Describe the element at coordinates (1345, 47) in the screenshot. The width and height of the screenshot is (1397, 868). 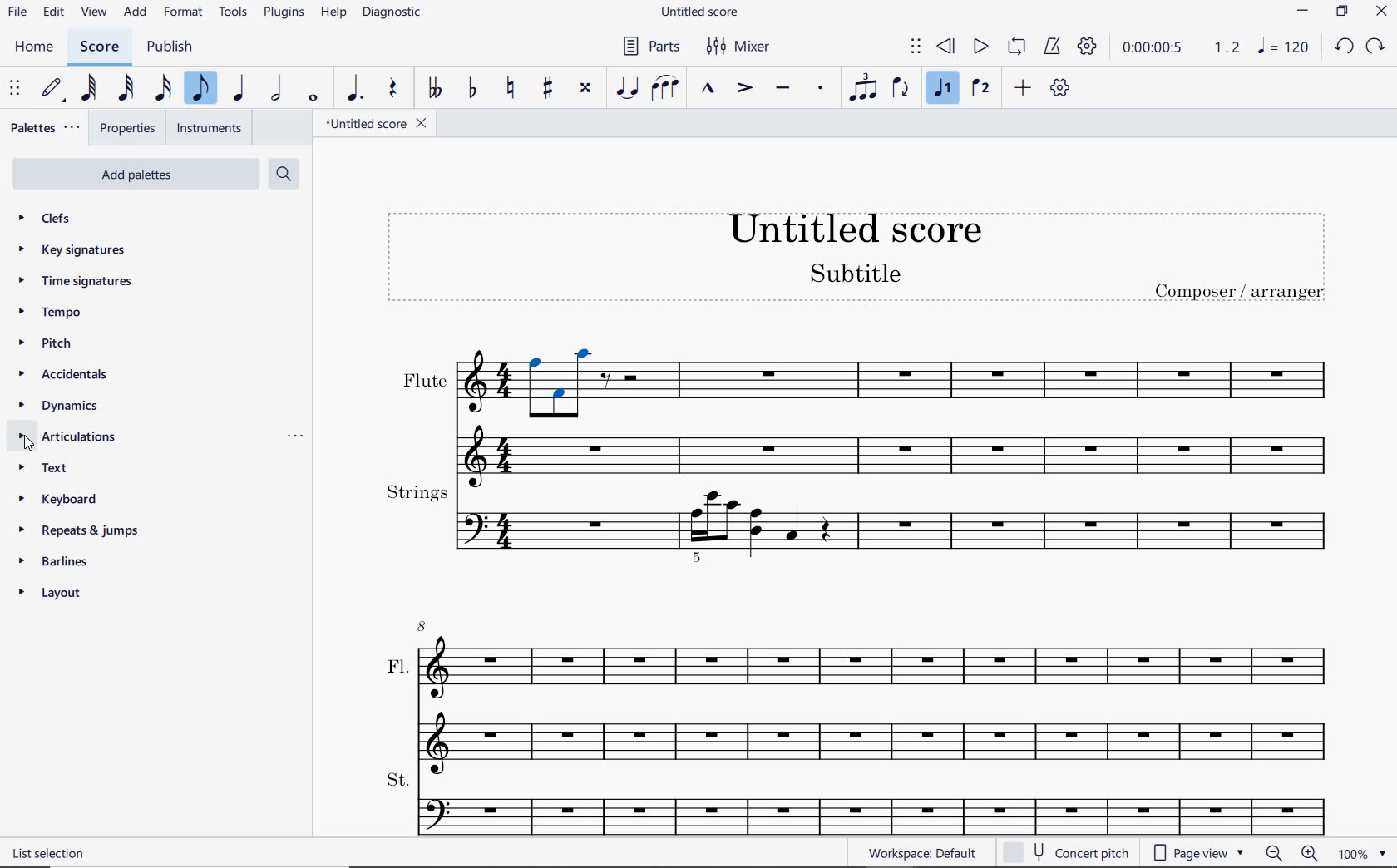
I see `undo` at that location.